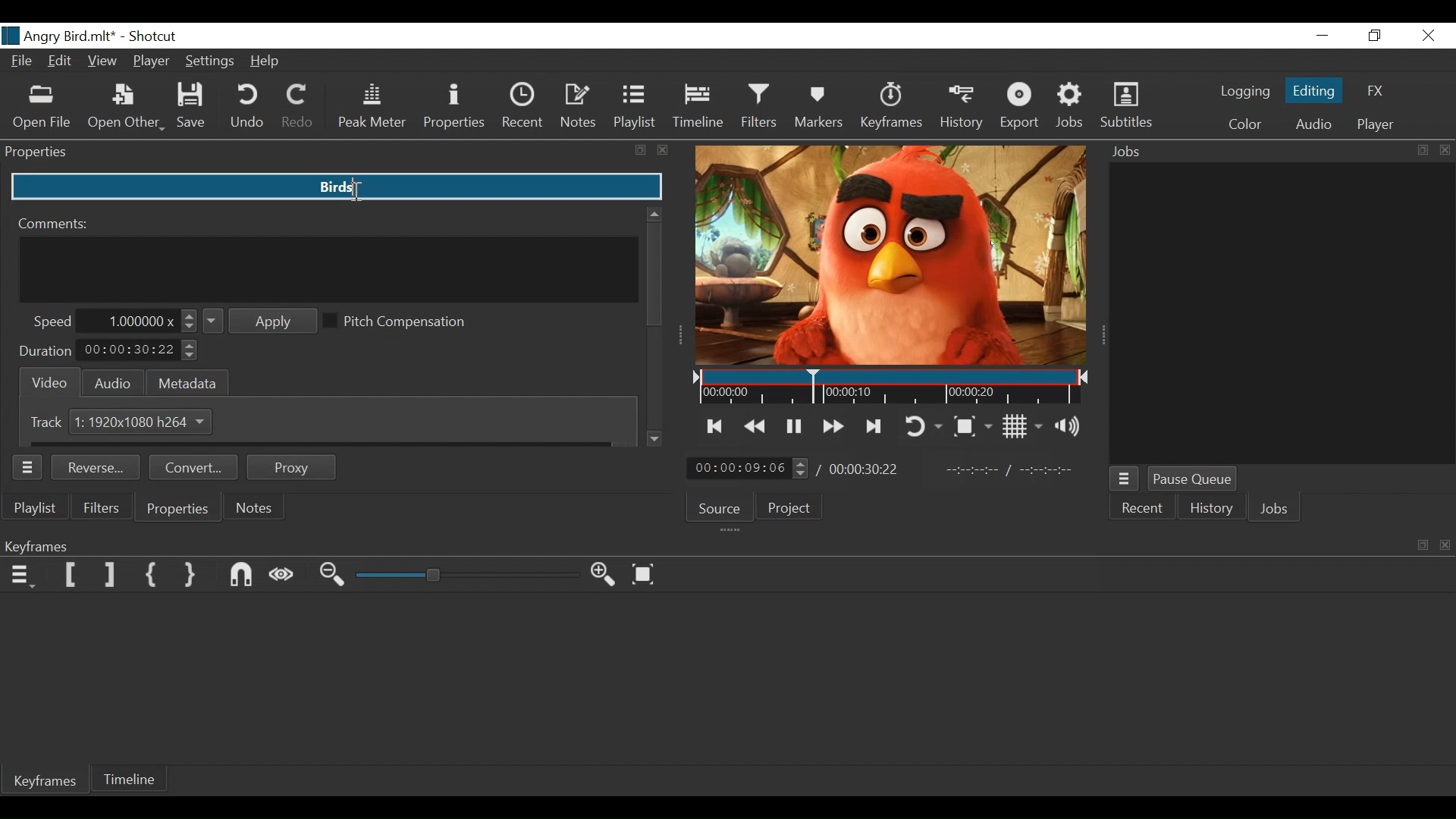  I want to click on Size, so click(143, 421).